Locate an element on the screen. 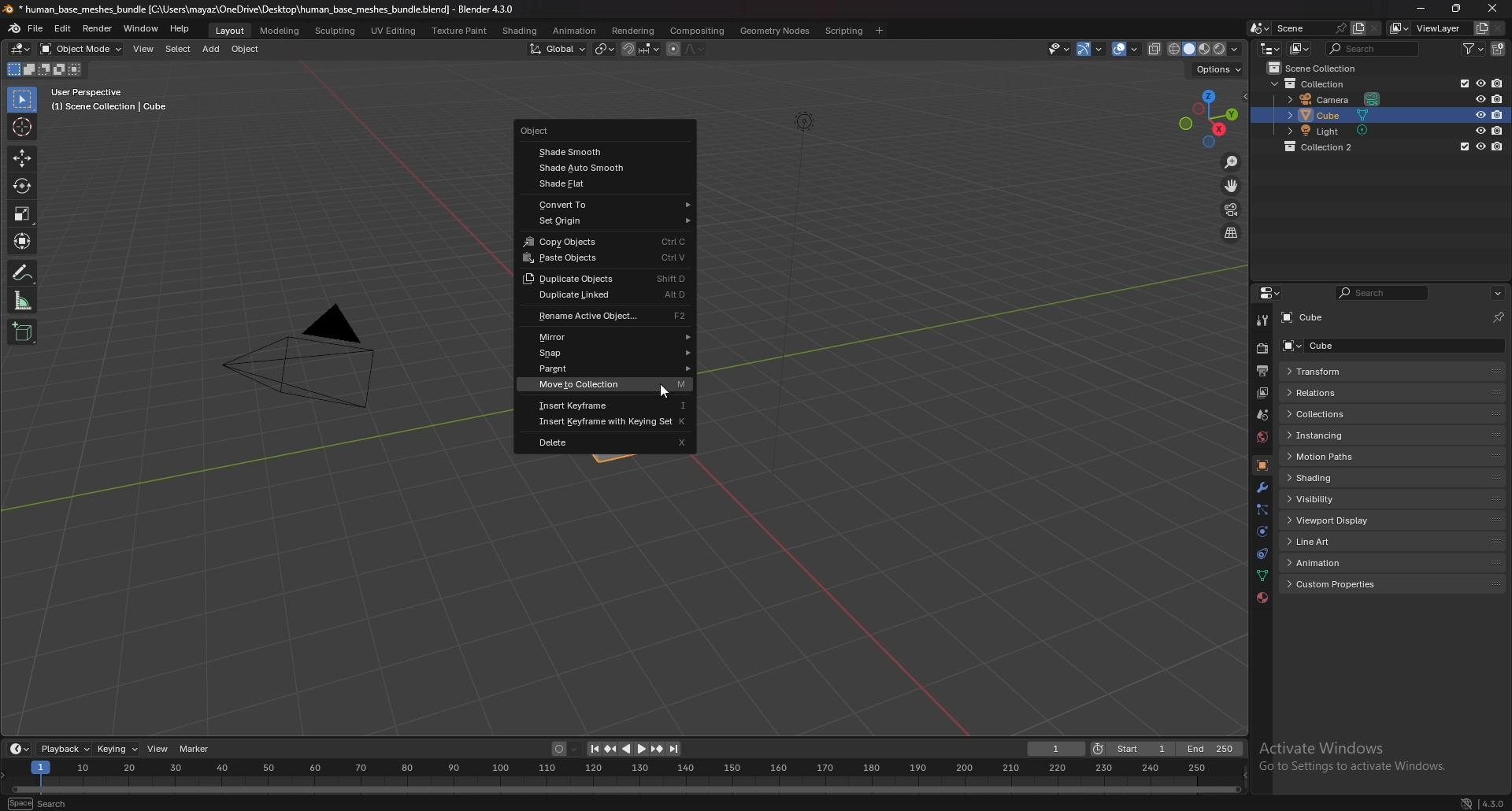 This screenshot has height=811, width=1512. paste obects is located at coordinates (604, 258).